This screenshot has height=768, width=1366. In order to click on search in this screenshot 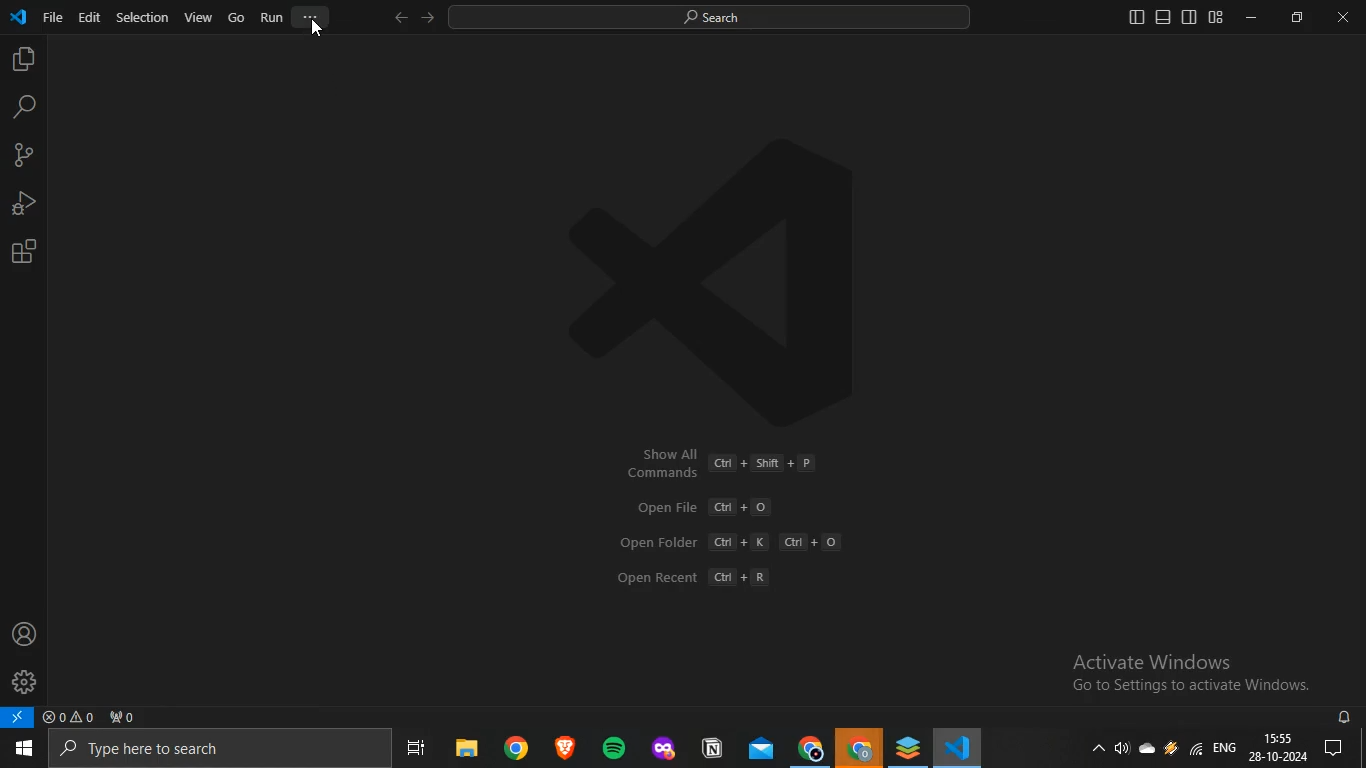, I will do `click(24, 107)`.